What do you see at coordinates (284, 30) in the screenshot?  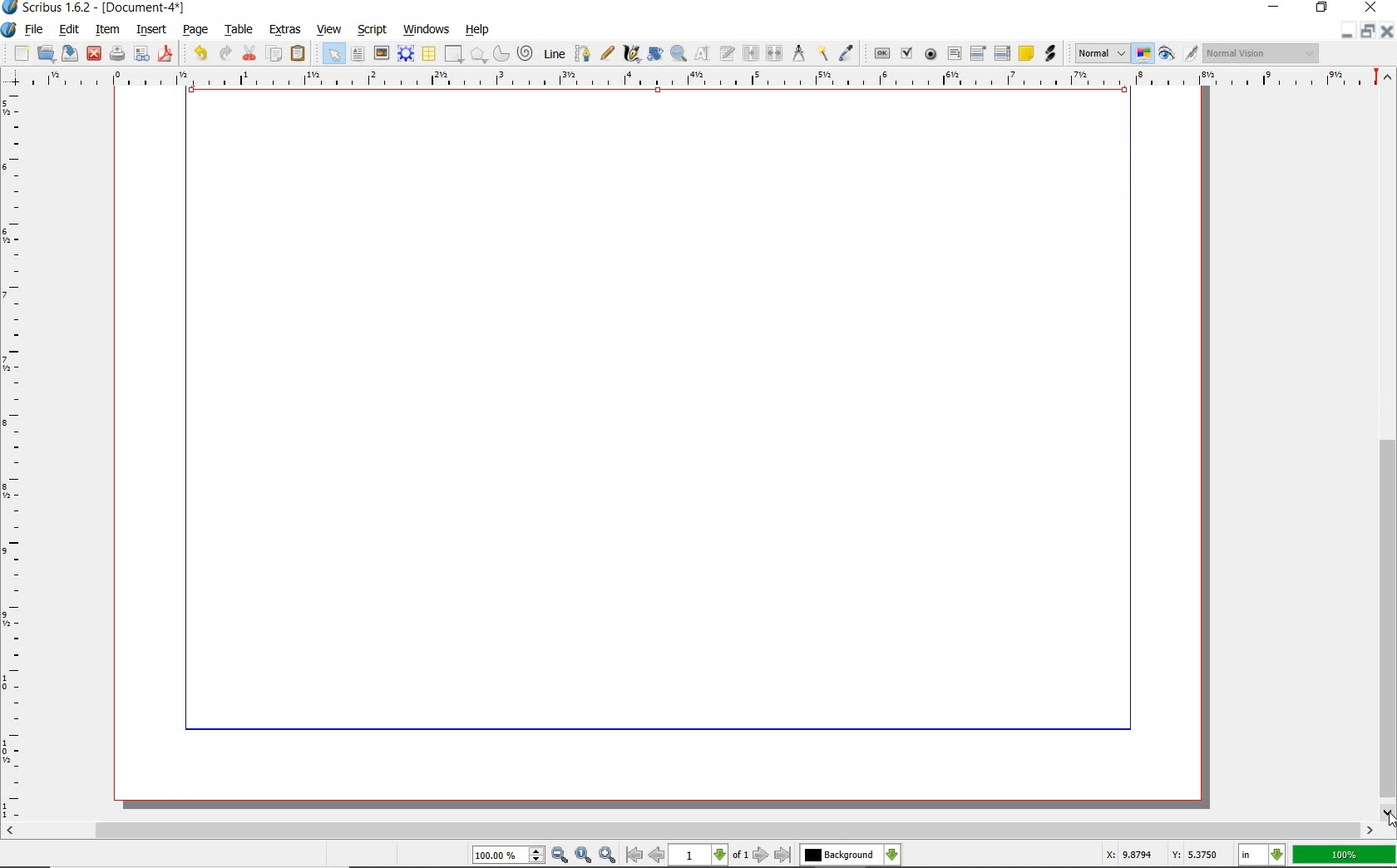 I see `extras` at bounding box center [284, 30].